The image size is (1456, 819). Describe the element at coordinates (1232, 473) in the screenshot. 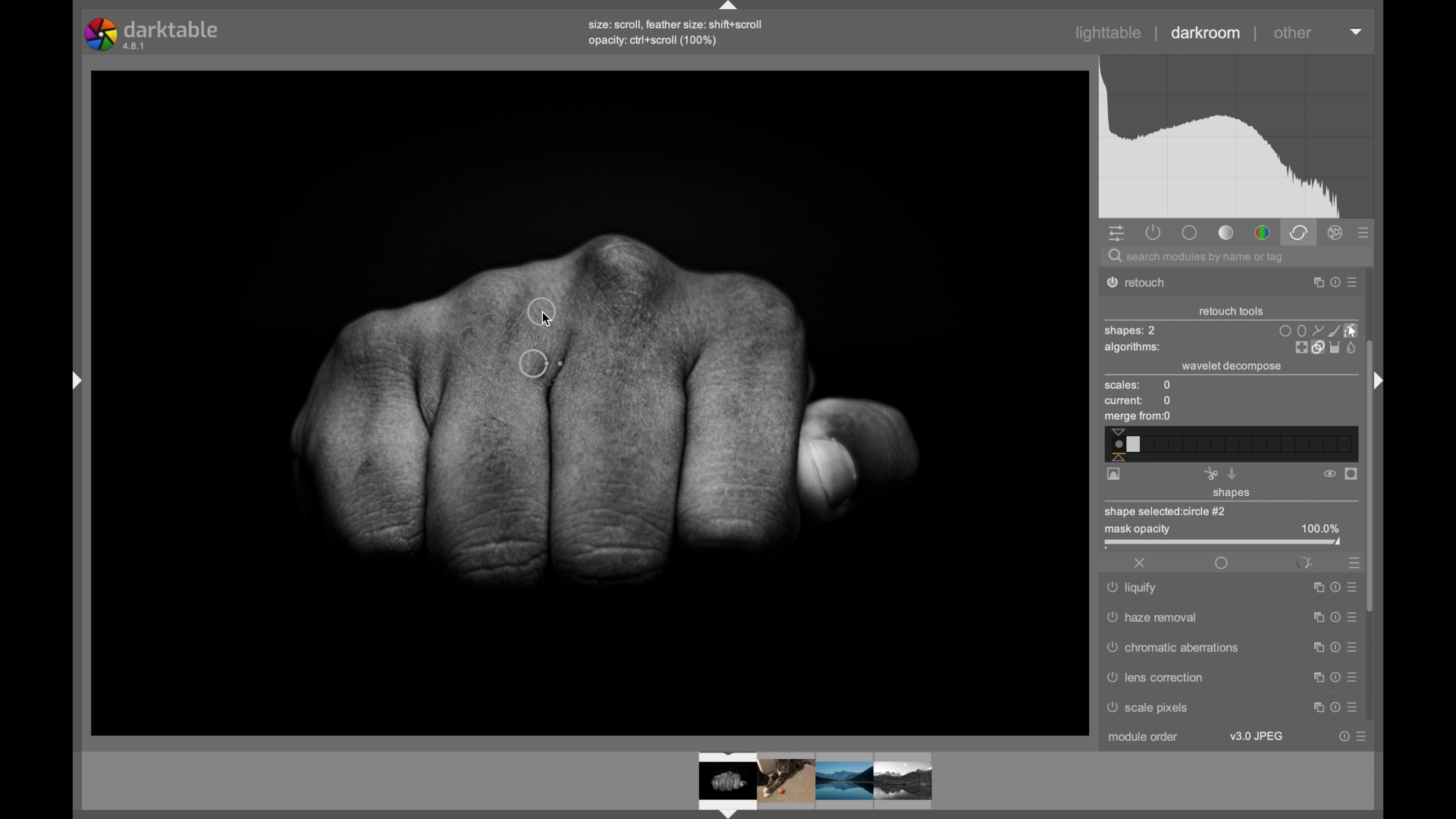

I see `paste` at that location.